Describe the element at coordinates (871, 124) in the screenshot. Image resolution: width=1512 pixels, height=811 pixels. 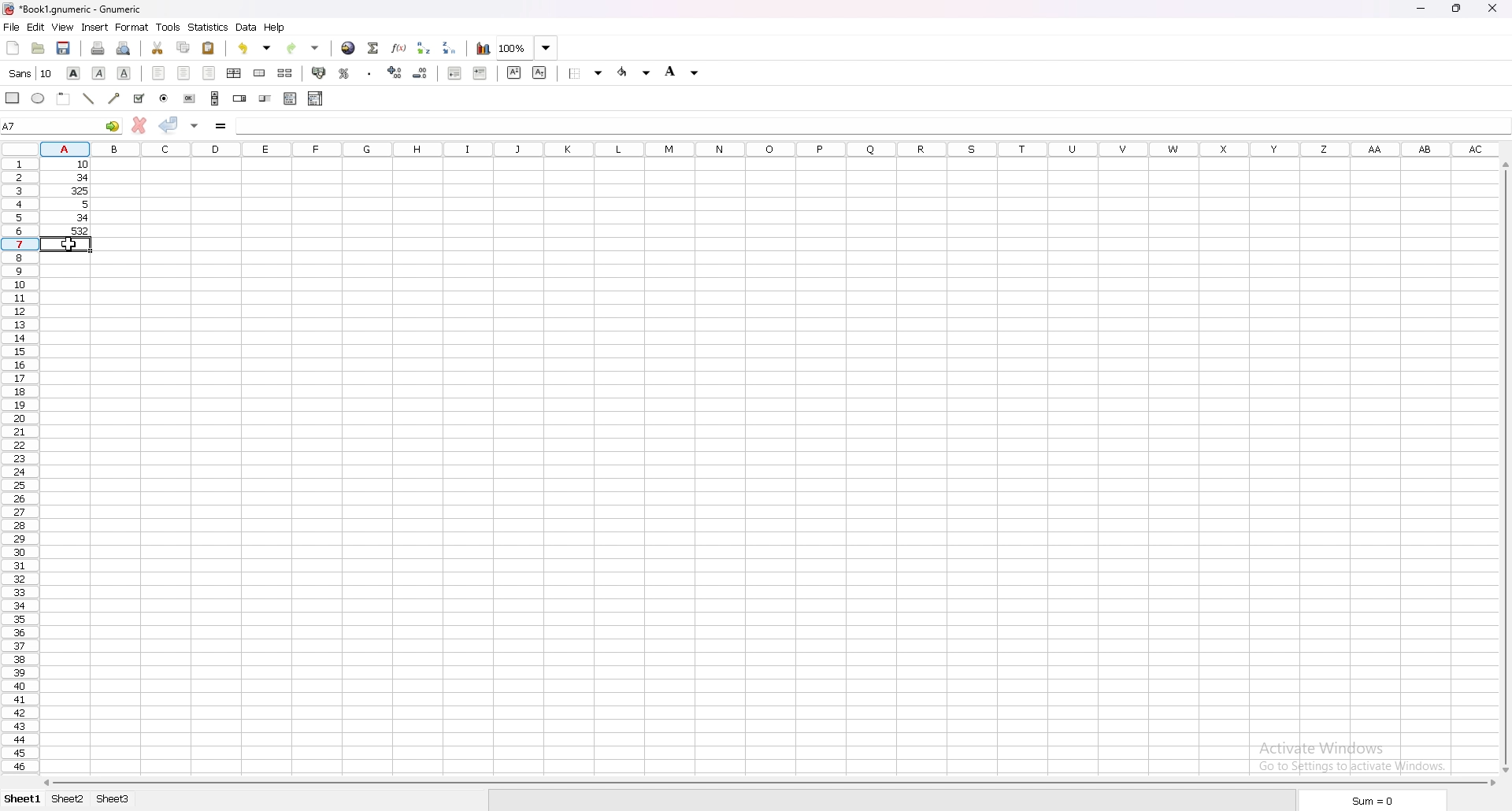
I see `cell input` at that location.